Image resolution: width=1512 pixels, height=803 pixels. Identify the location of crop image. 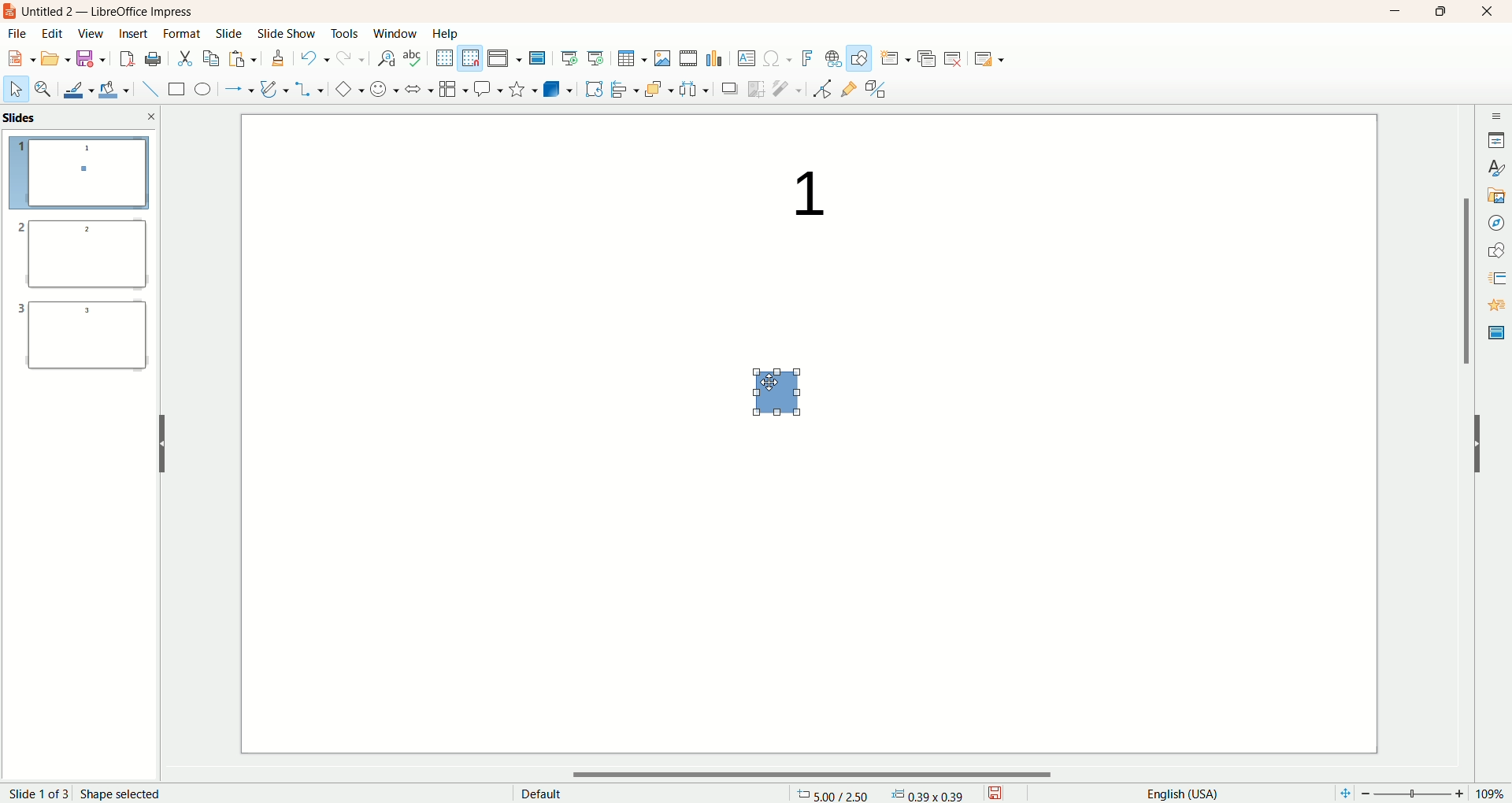
(757, 88).